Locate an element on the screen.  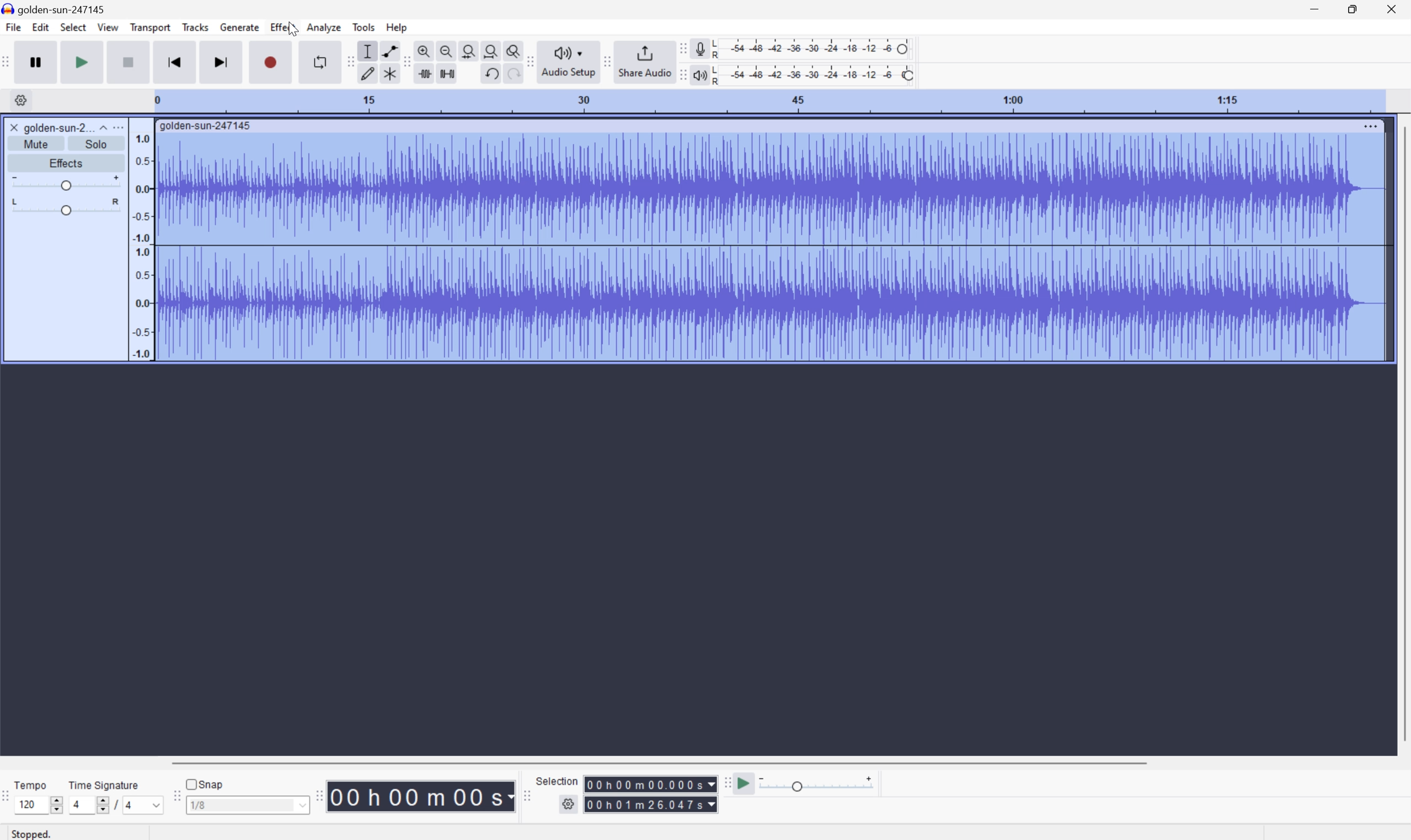
Record meter is located at coordinates (700, 48).